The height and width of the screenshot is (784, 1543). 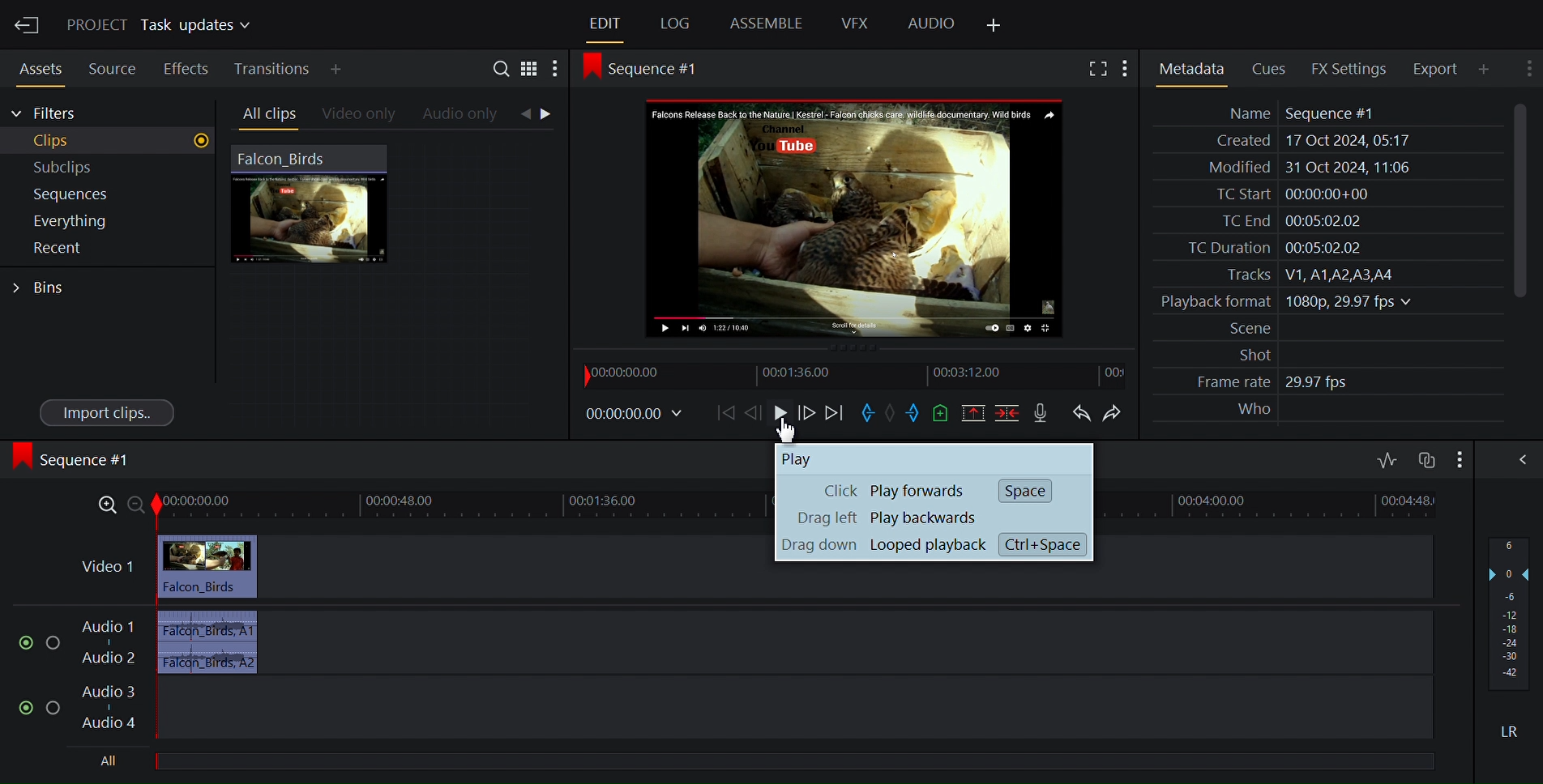 I want to click on Clip Thumbnail, so click(x=395, y=283).